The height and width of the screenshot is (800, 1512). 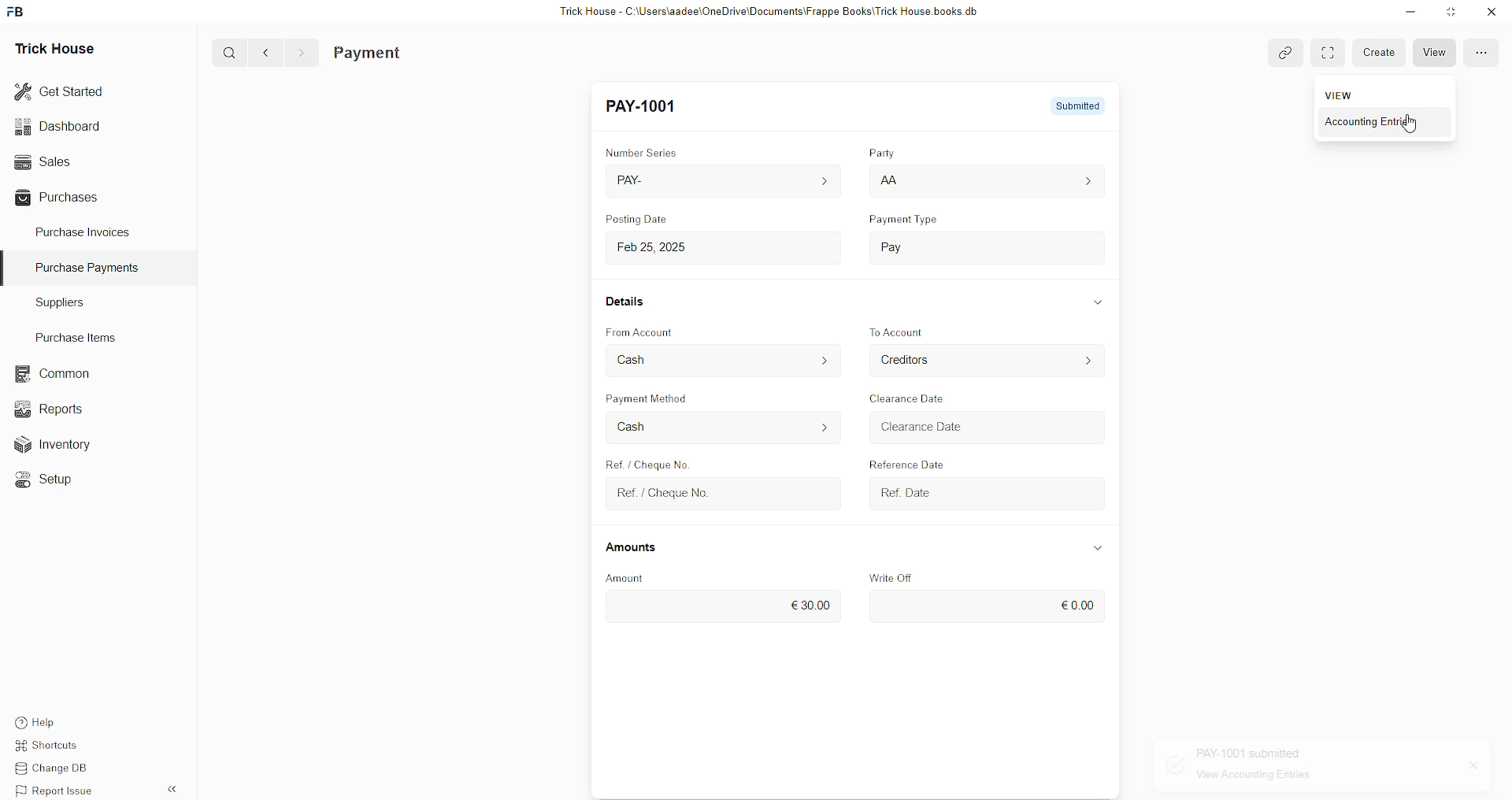 What do you see at coordinates (876, 154) in the screenshot?
I see `Party` at bounding box center [876, 154].